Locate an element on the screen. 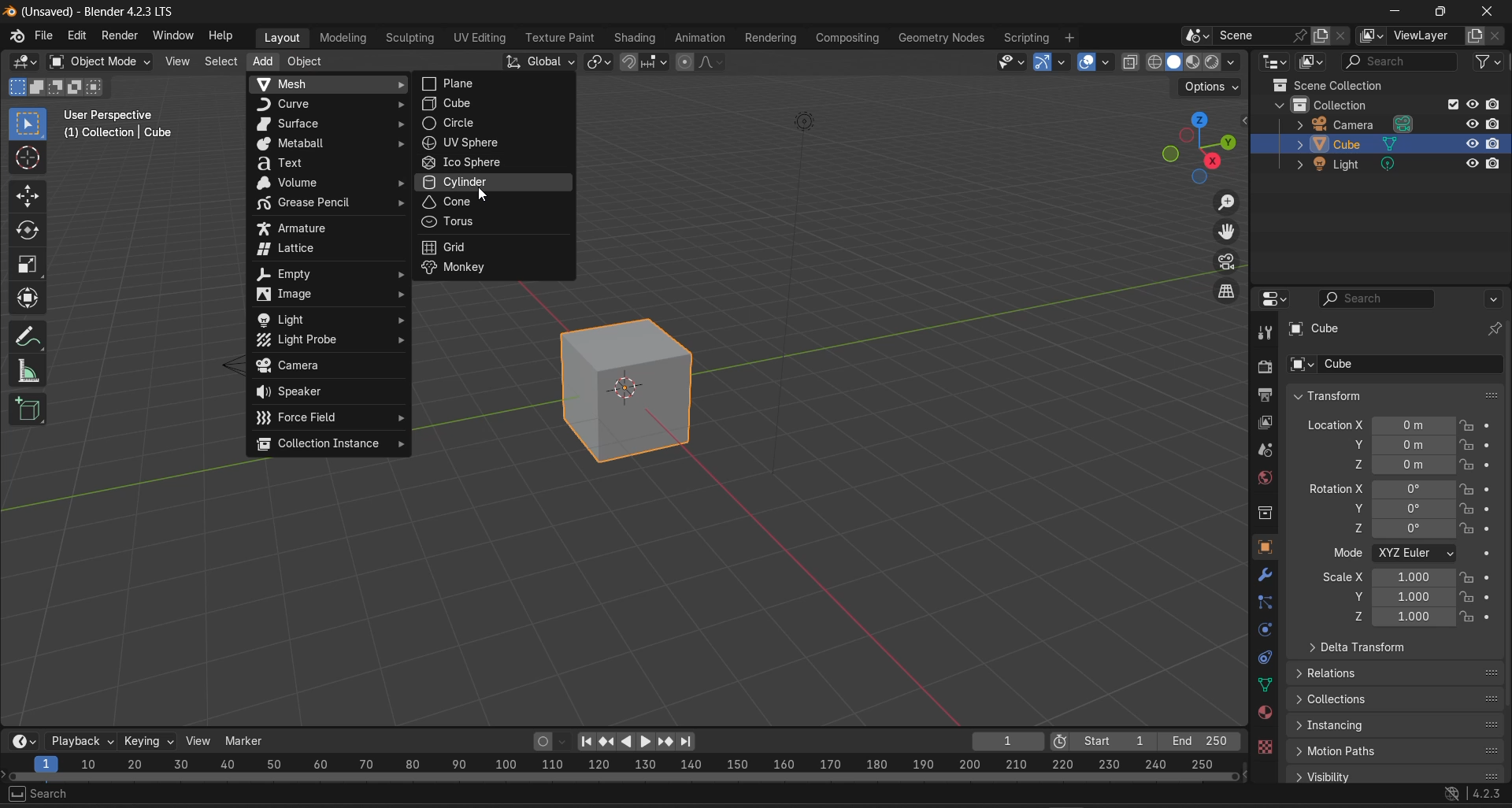 The image size is (1512, 808). options is located at coordinates (1212, 88).